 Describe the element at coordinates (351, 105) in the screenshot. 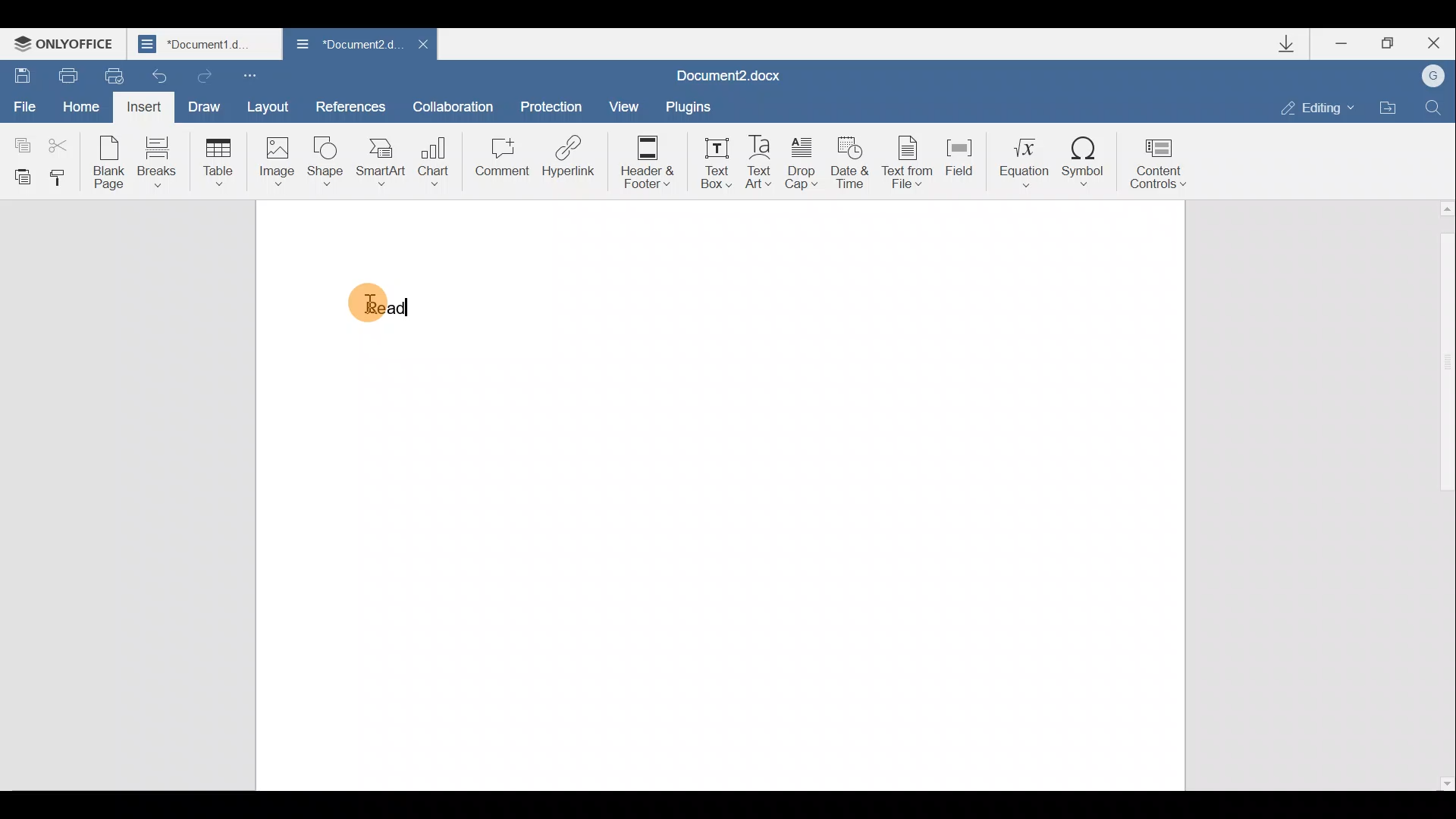

I see `References` at that location.